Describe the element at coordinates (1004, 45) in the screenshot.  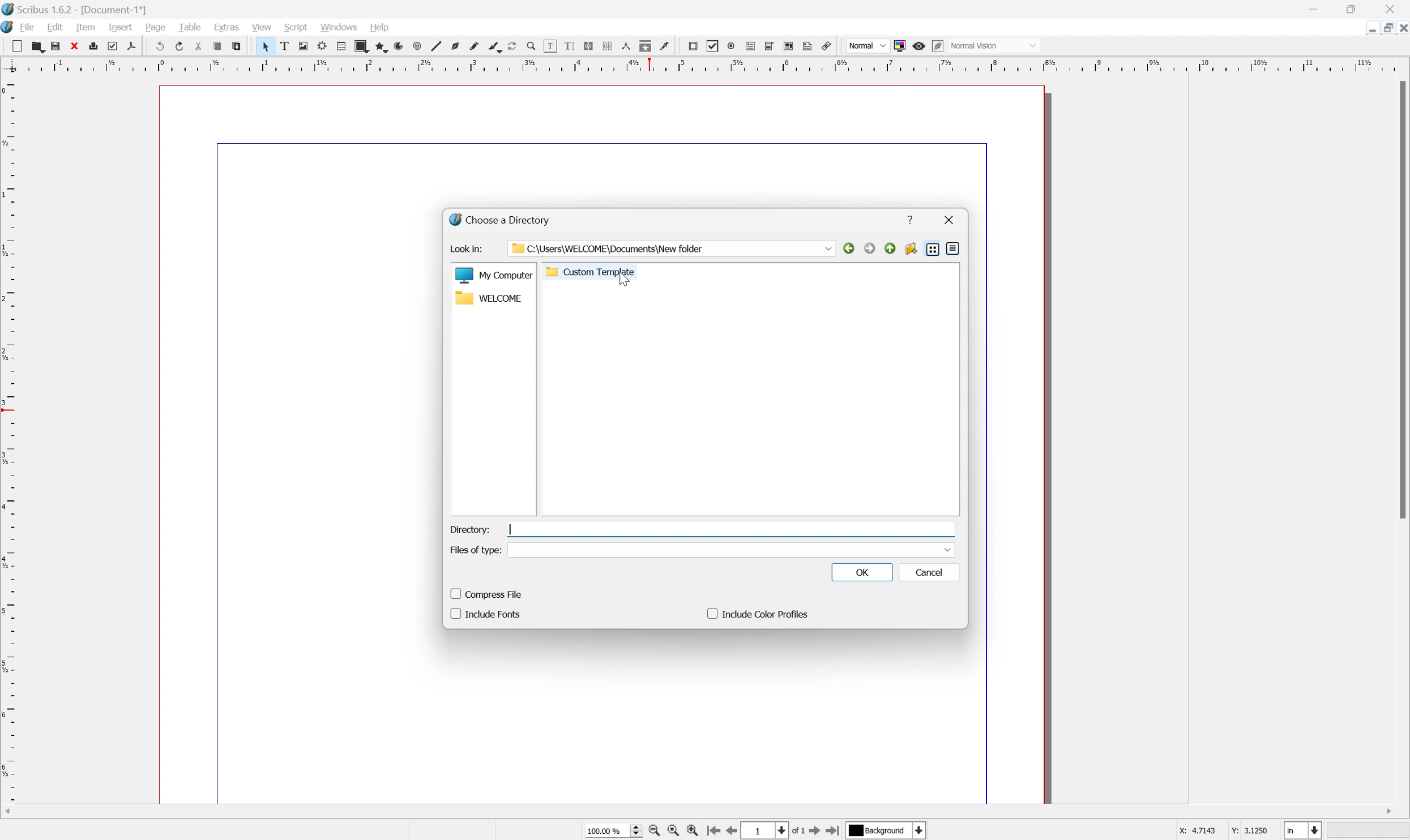
I see `Normal vision` at that location.